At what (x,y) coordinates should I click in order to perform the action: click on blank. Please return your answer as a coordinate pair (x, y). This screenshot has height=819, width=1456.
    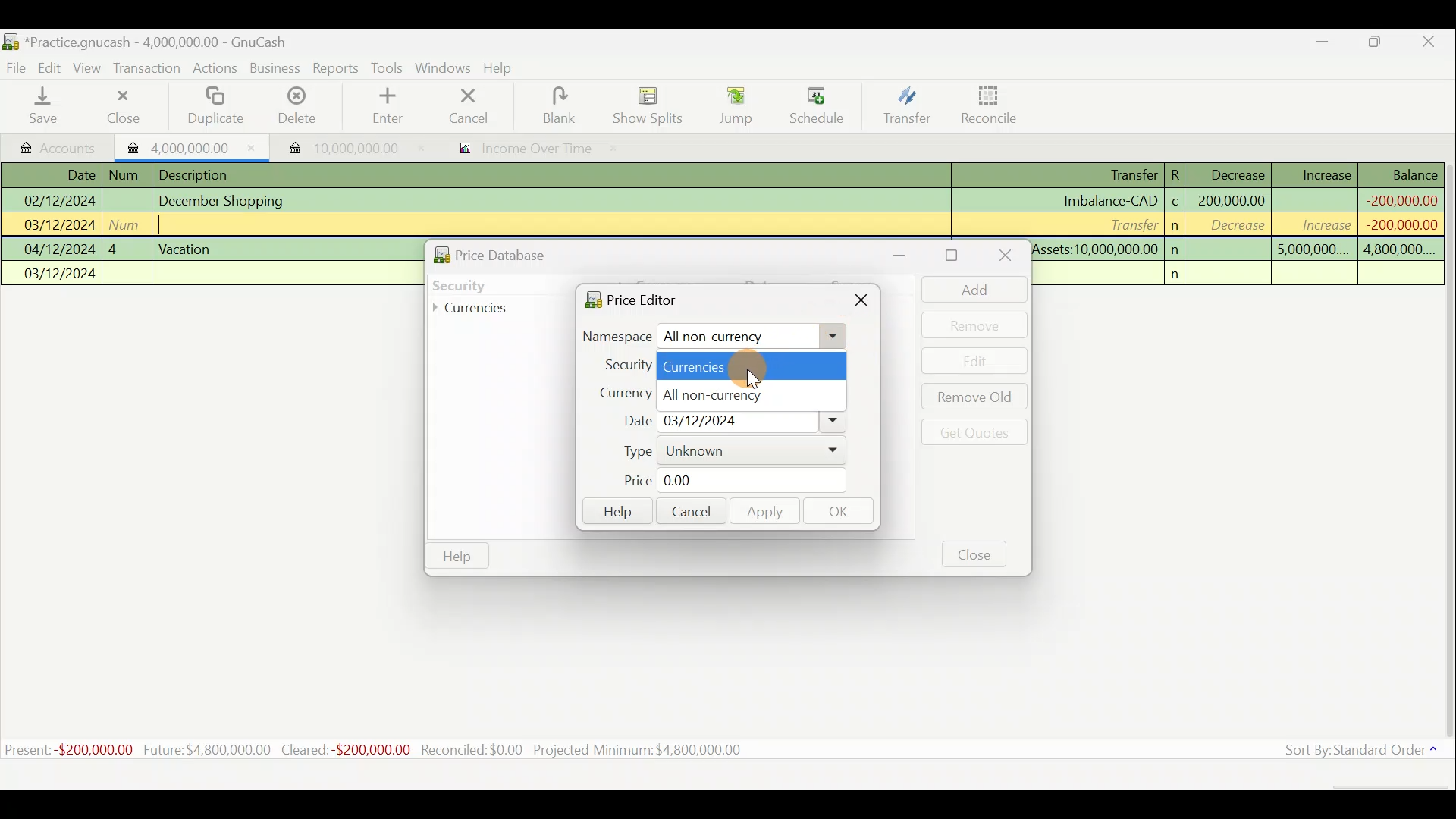
    Looking at the image, I should click on (570, 105).